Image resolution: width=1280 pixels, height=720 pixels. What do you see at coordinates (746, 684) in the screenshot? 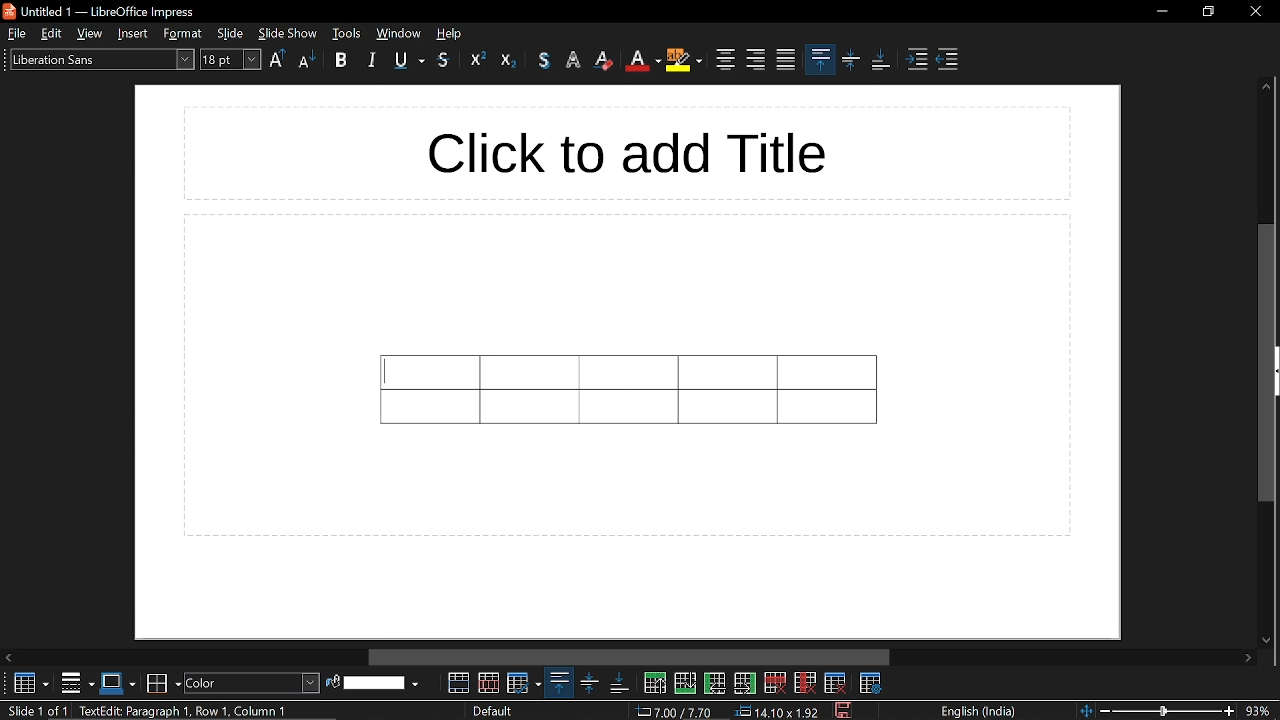
I see `insert column after` at bounding box center [746, 684].